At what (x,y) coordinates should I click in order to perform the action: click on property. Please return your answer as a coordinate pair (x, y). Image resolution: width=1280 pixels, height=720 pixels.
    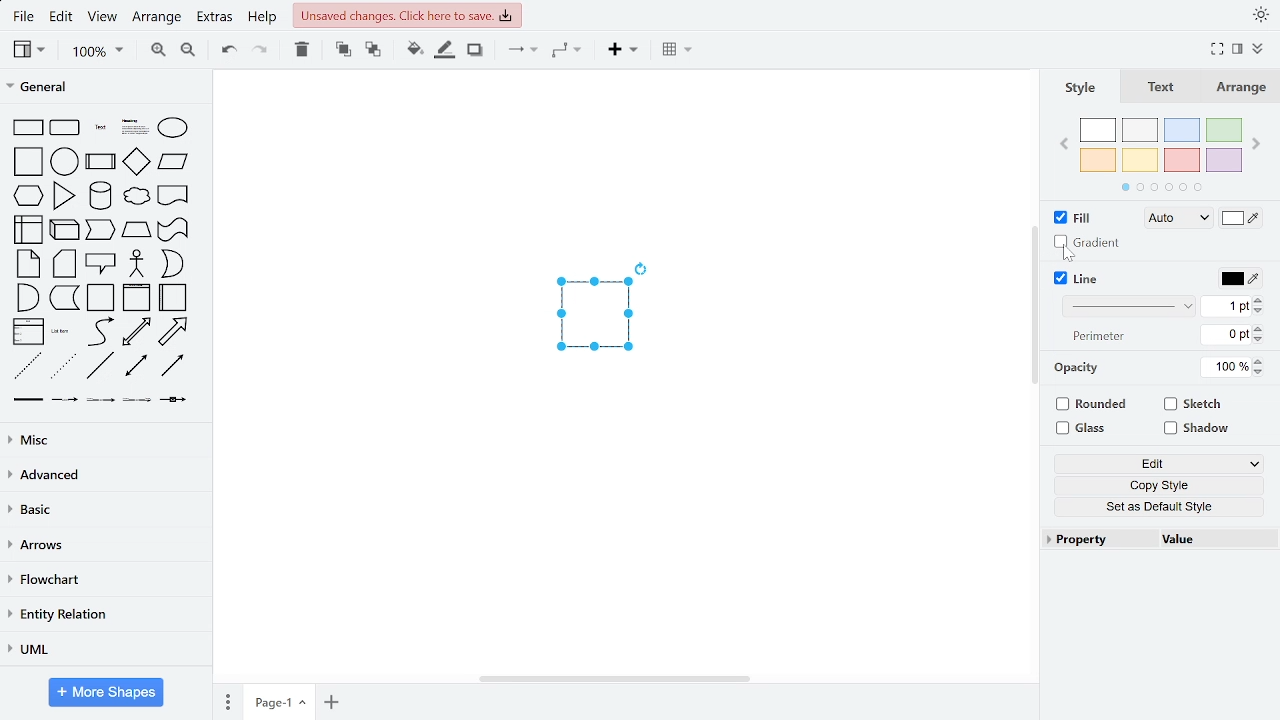
    Looking at the image, I should click on (1097, 541).